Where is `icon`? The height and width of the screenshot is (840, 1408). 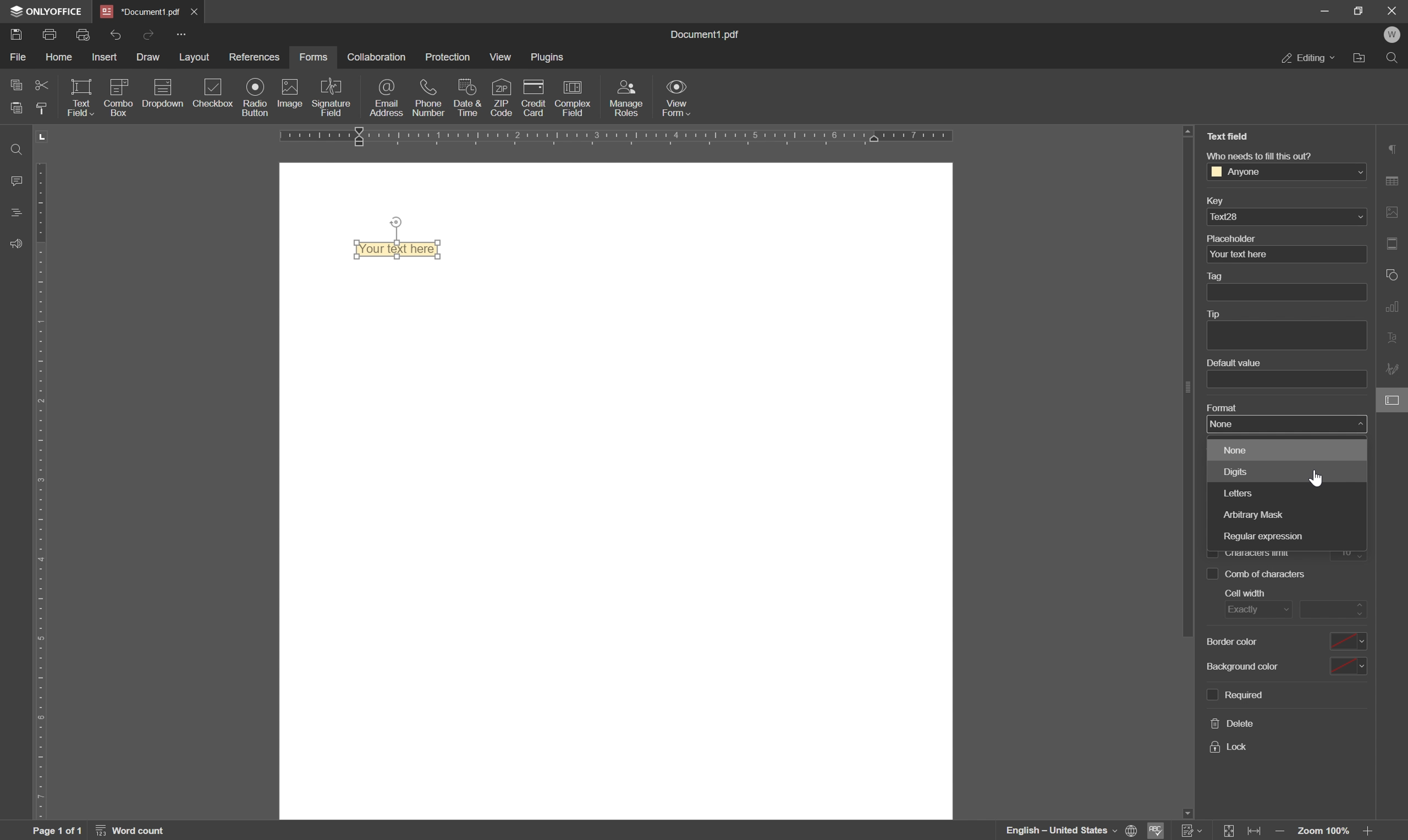
icon is located at coordinates (118, 87).